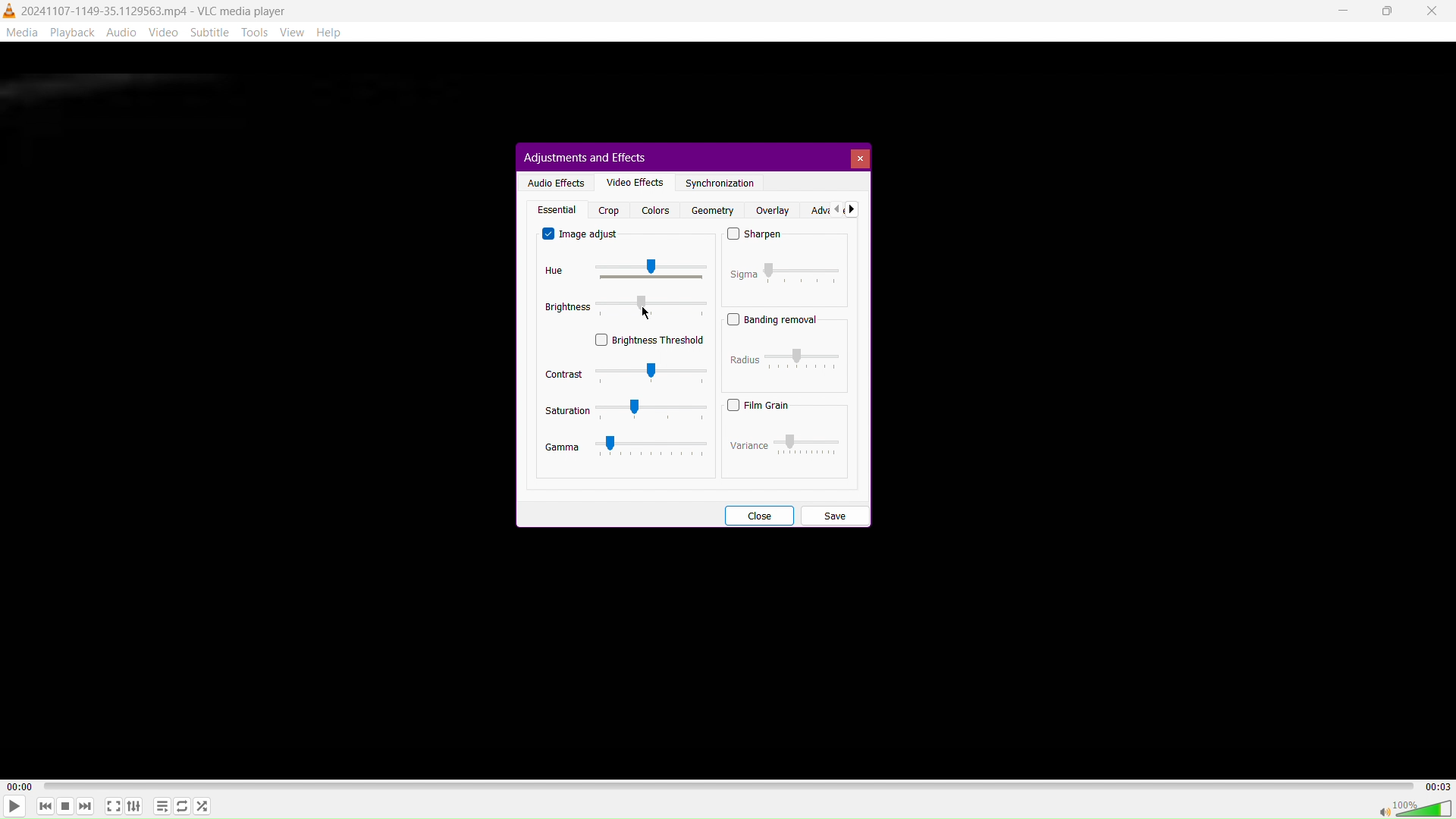  I want to click on Minimize, so click(1345, 11).